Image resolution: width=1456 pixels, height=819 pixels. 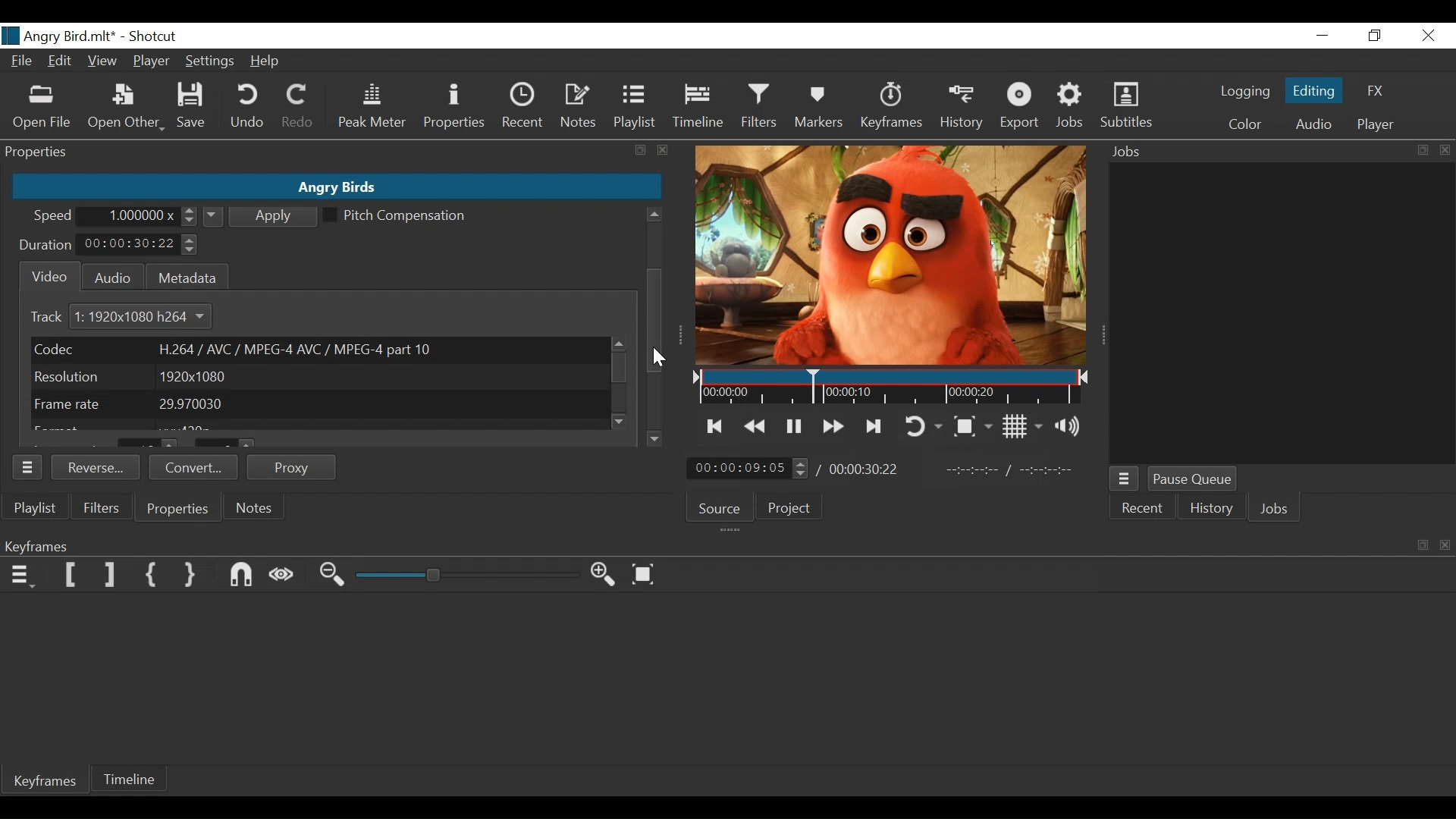 I want to click on Snap, so click(x=242, y=576).